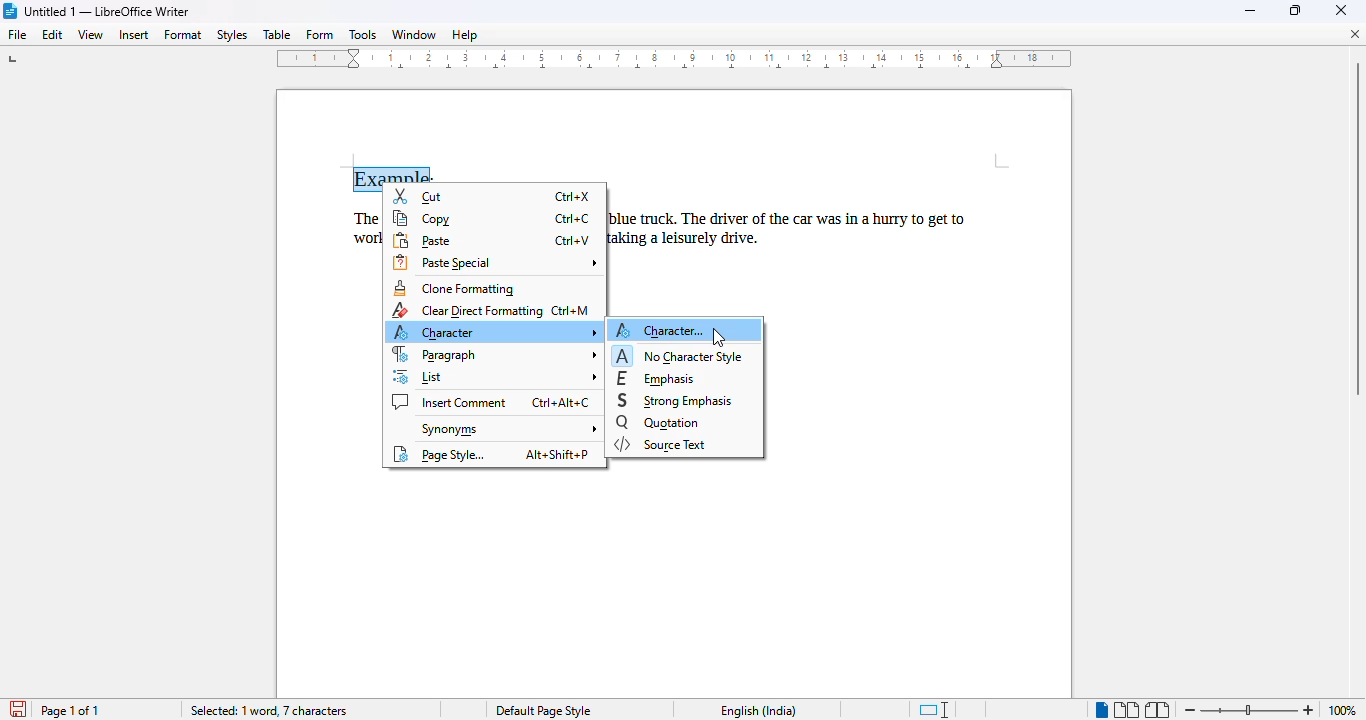  What do you see at coordinates (496, 262) in the screenshot?
I see `paste special` at bounding box center [496, 262].